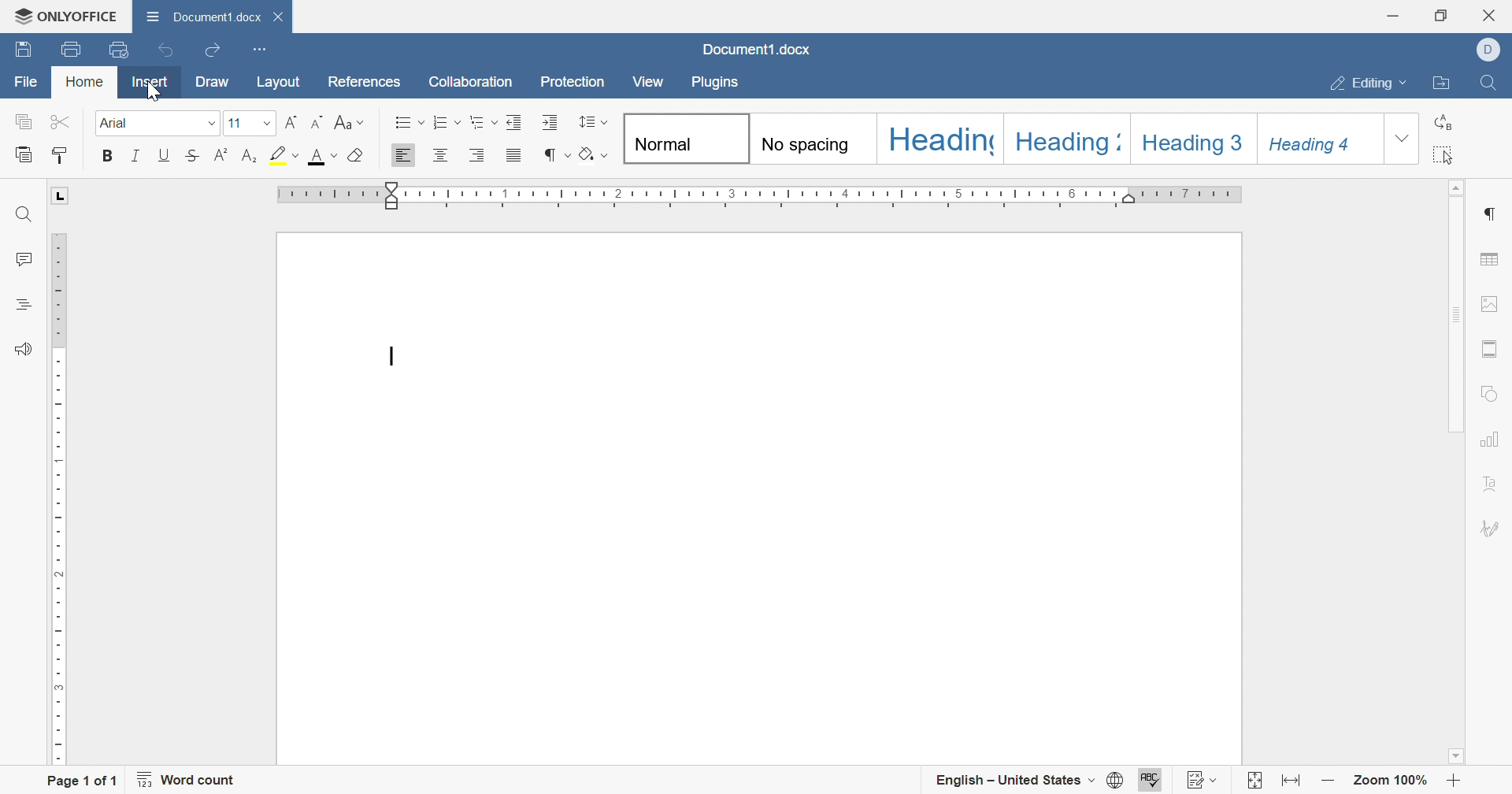  Describe the element at coordinates (1071, 139) in the screenshot. I see `Heading 2` at that location.